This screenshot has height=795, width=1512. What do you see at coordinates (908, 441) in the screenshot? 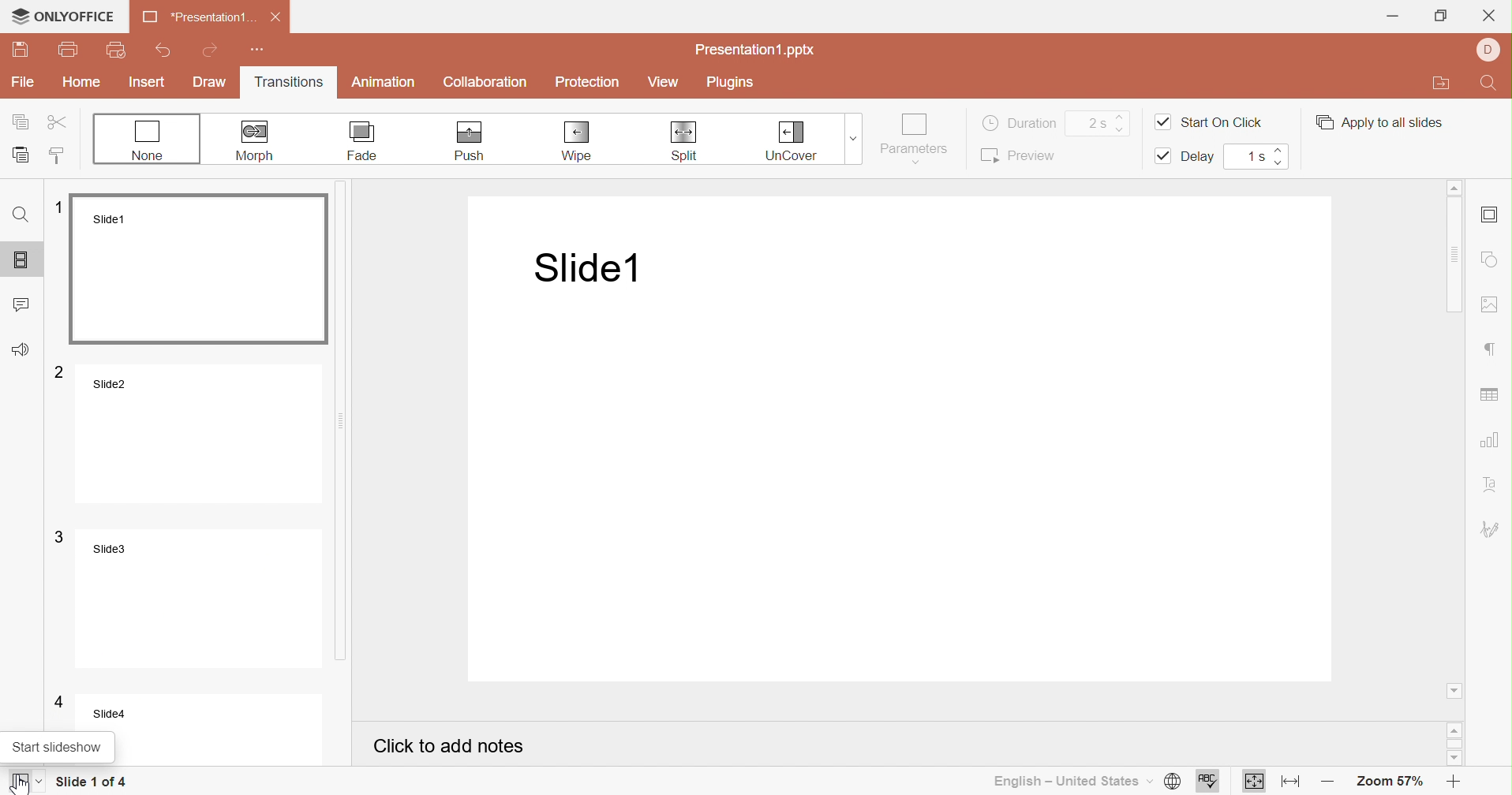
I see `Presentation slide` at bounding box center [908, 441].